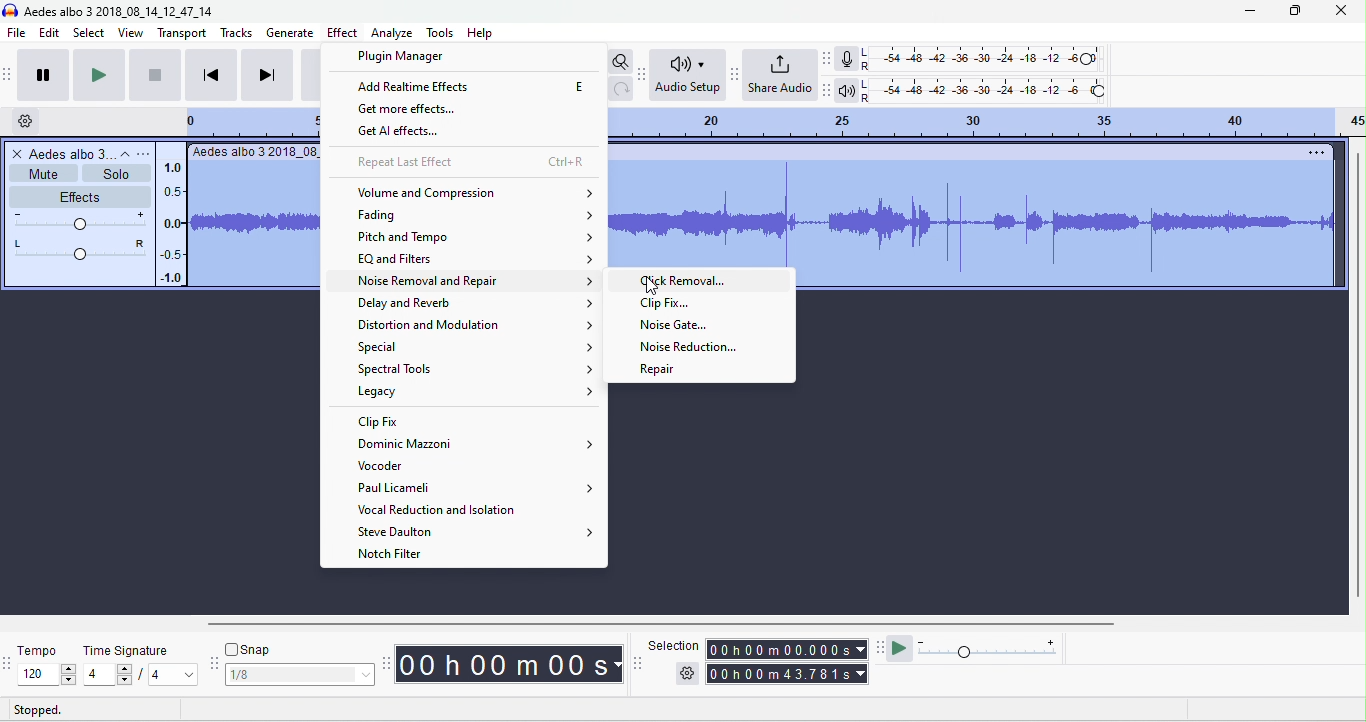  Describe the element at coordinates (477, 284) in the screenshot. I see `noise removal and repair` at that location.